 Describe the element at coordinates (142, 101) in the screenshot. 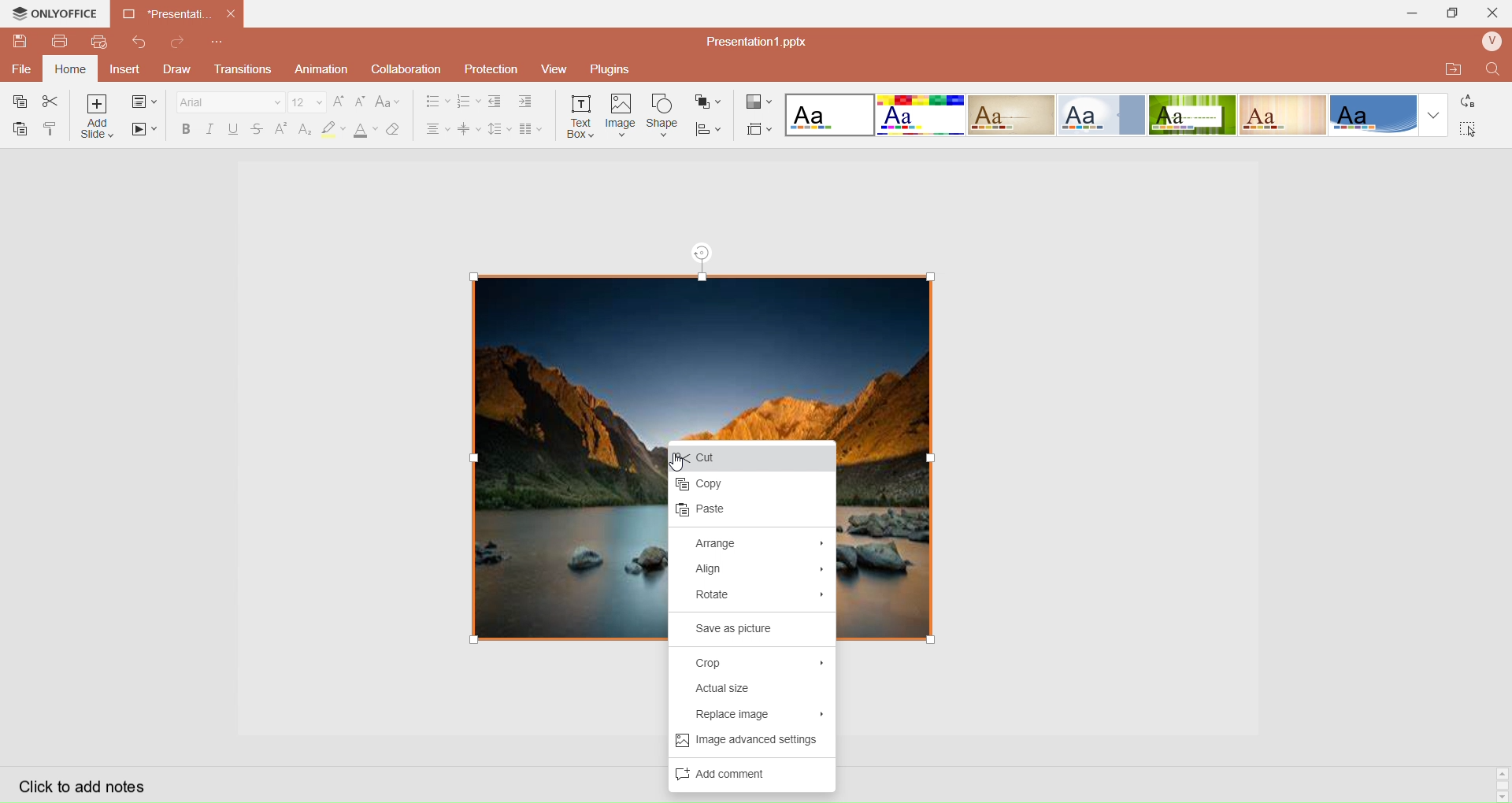

I see `change slide layout` at that location.